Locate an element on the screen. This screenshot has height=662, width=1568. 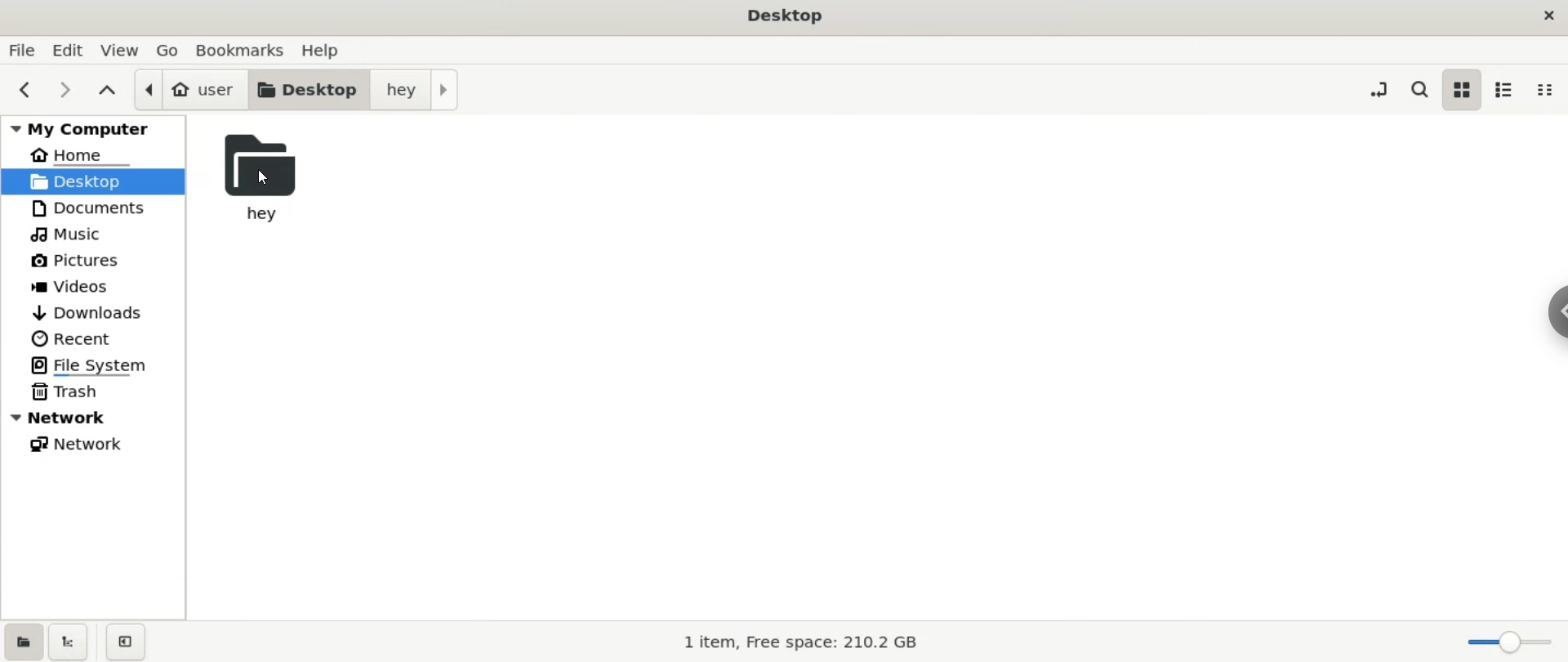
file is located at coordinates (22, 52).